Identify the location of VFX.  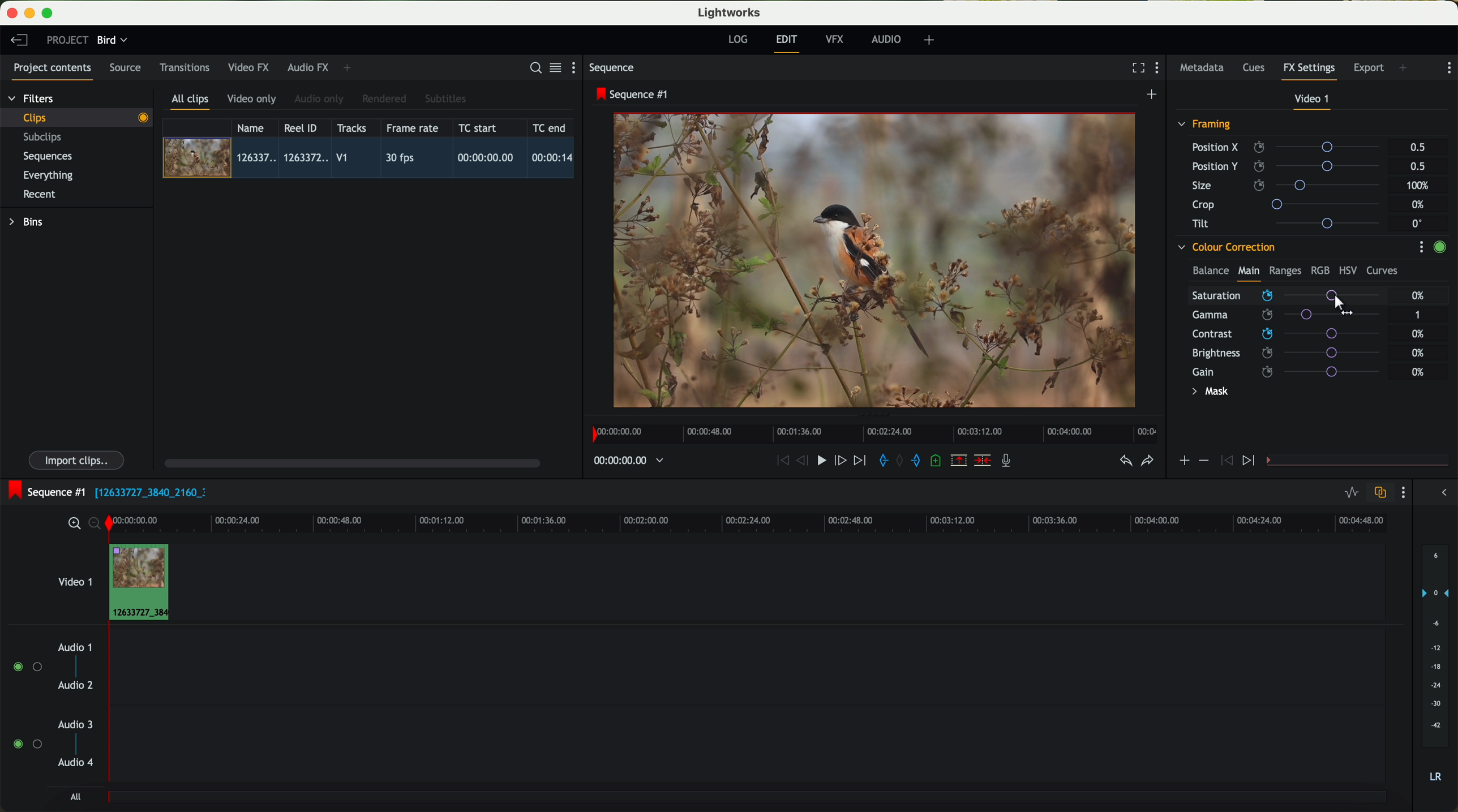
(837, 40).